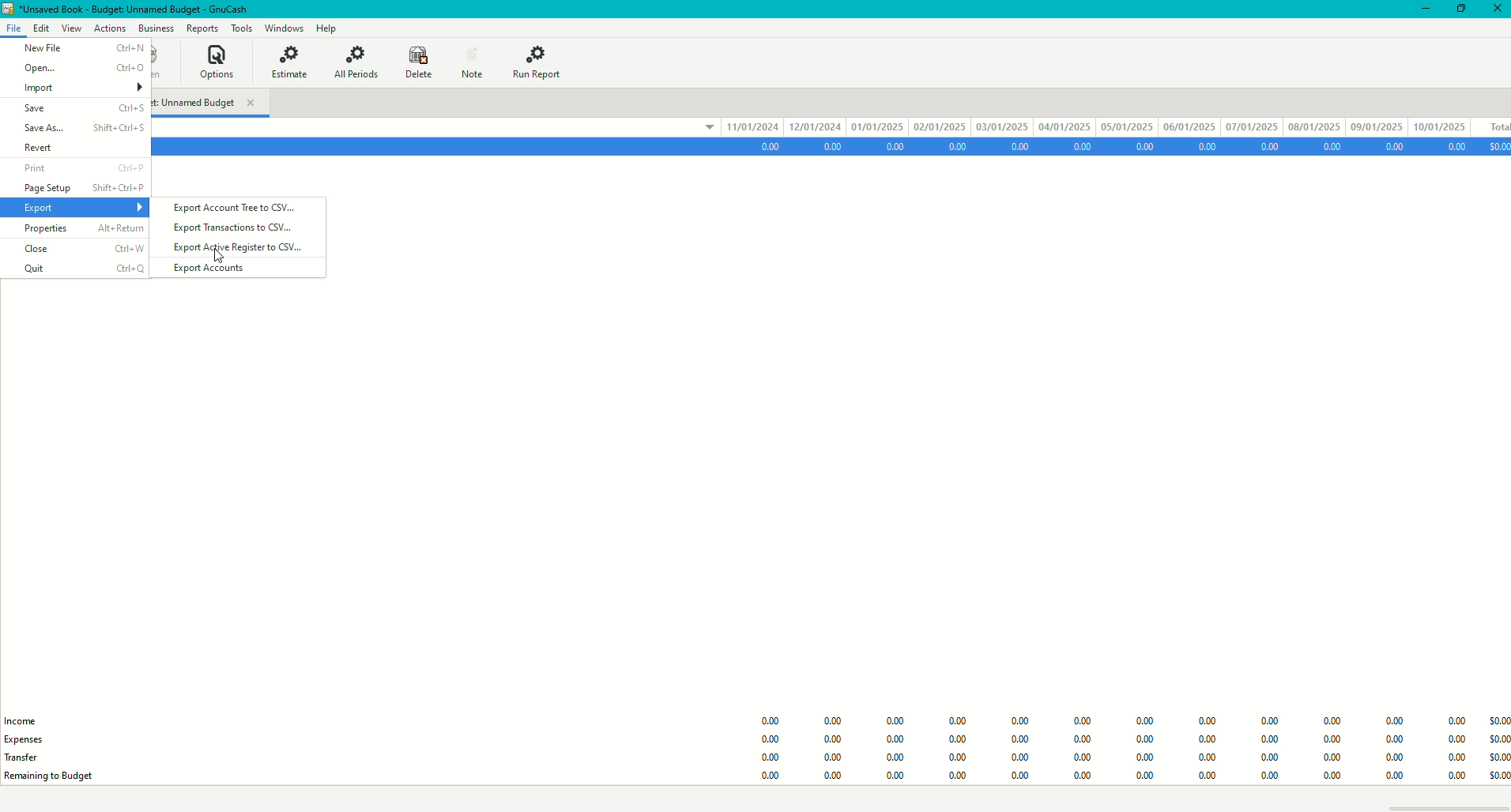 The height and width of the screenshot is (812, 1511). I want to click on total, so click(1494, 124).